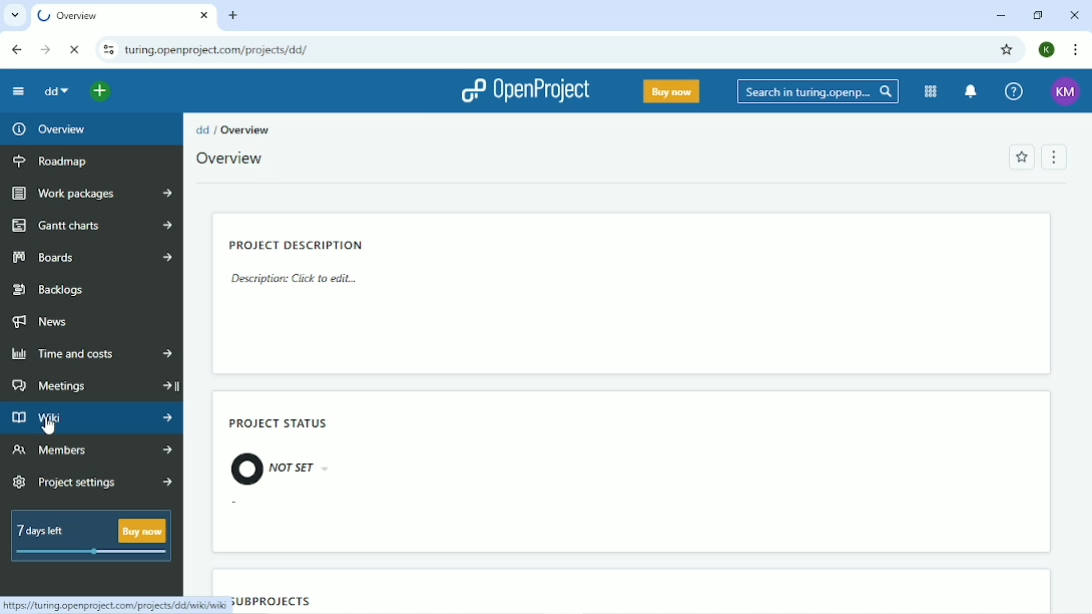 Image resolution: width=1092 pixels, height=614 pixels. Describe the element at coordinates (1022, 158) in the screenshot. I see `Add to favorites` at that location.